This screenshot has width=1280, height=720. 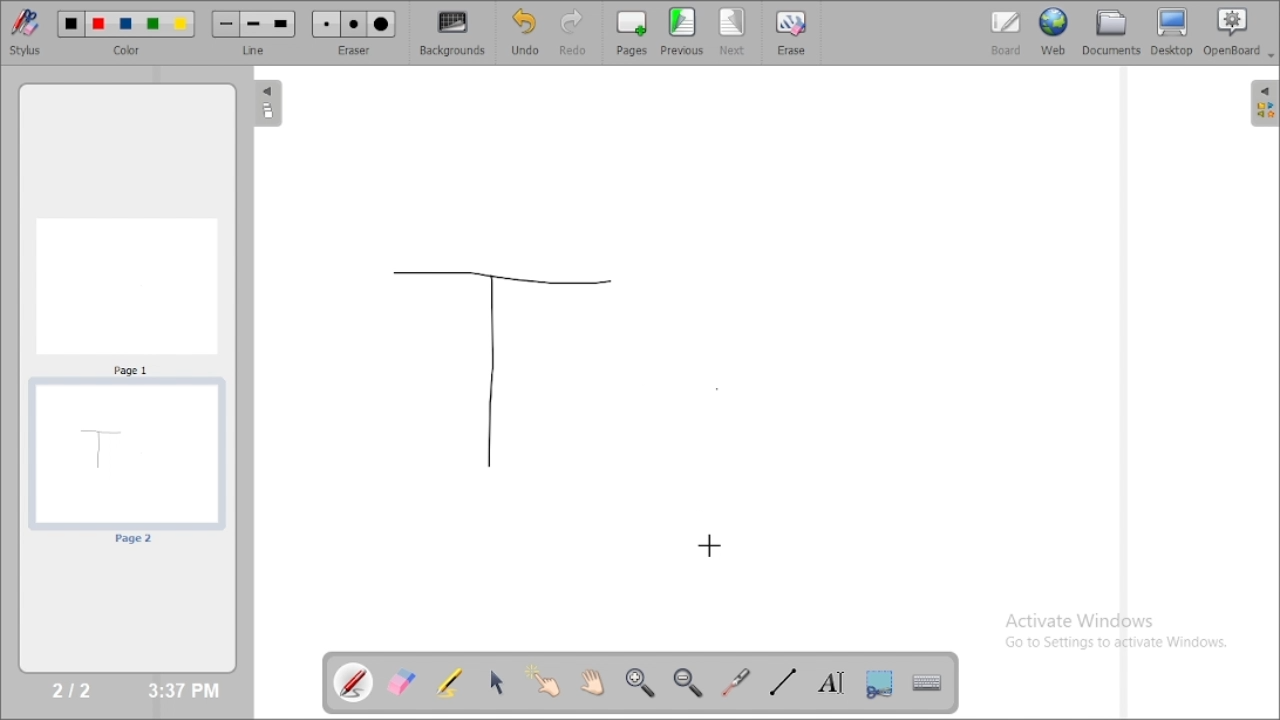 I want to click on write text, so click(x=831, y=683).